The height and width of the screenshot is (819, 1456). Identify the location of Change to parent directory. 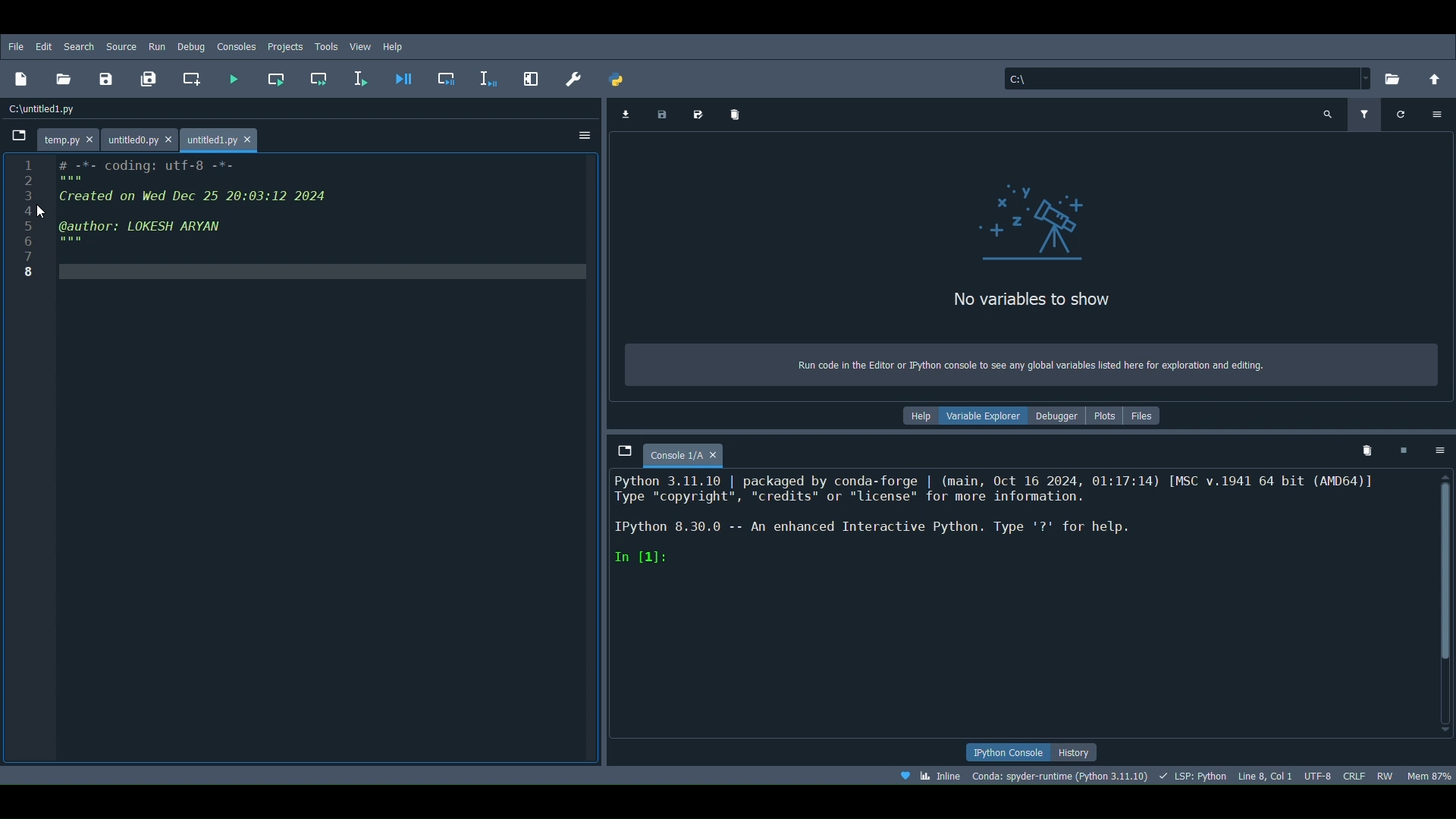
(1436, 76).